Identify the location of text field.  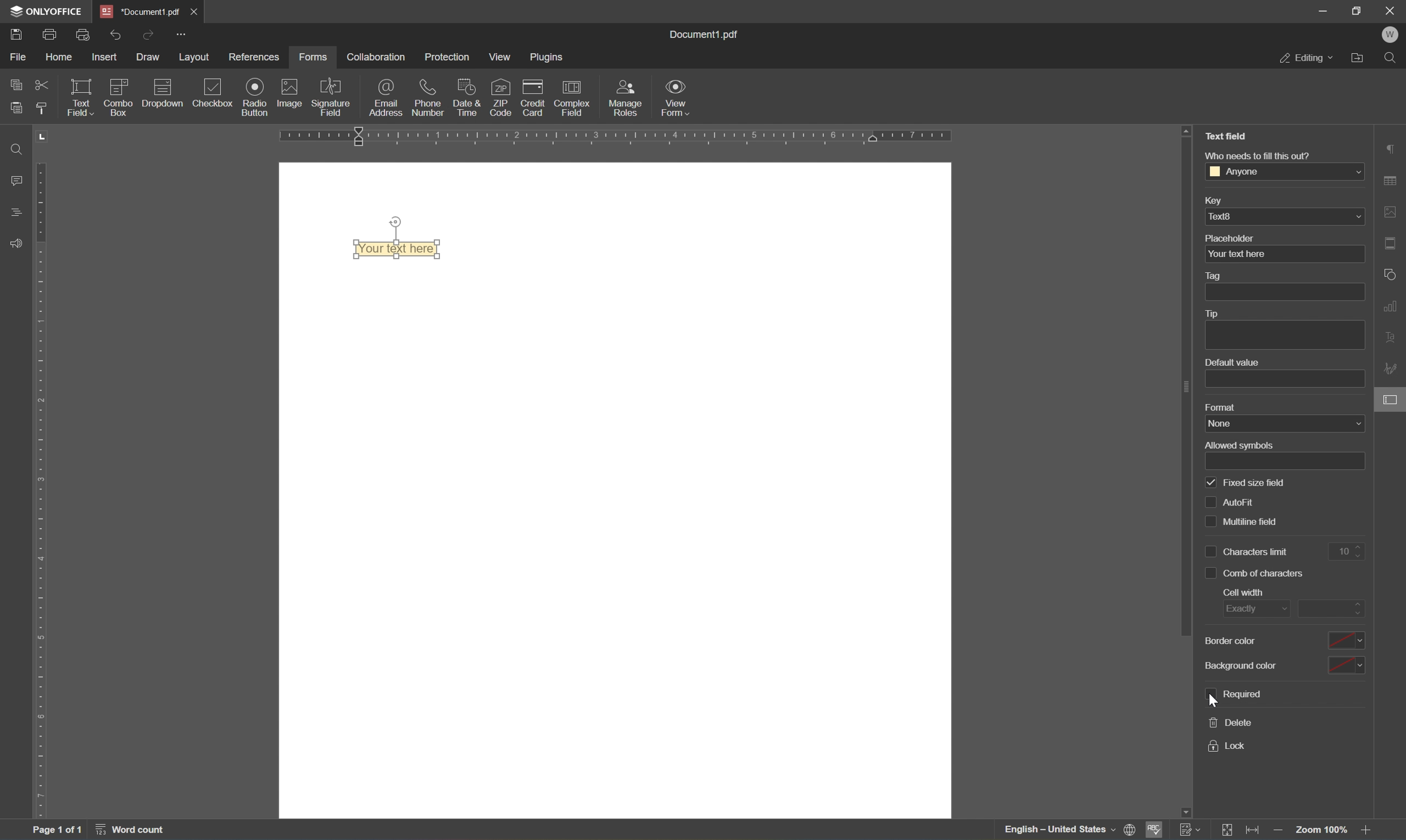
(84, 97).